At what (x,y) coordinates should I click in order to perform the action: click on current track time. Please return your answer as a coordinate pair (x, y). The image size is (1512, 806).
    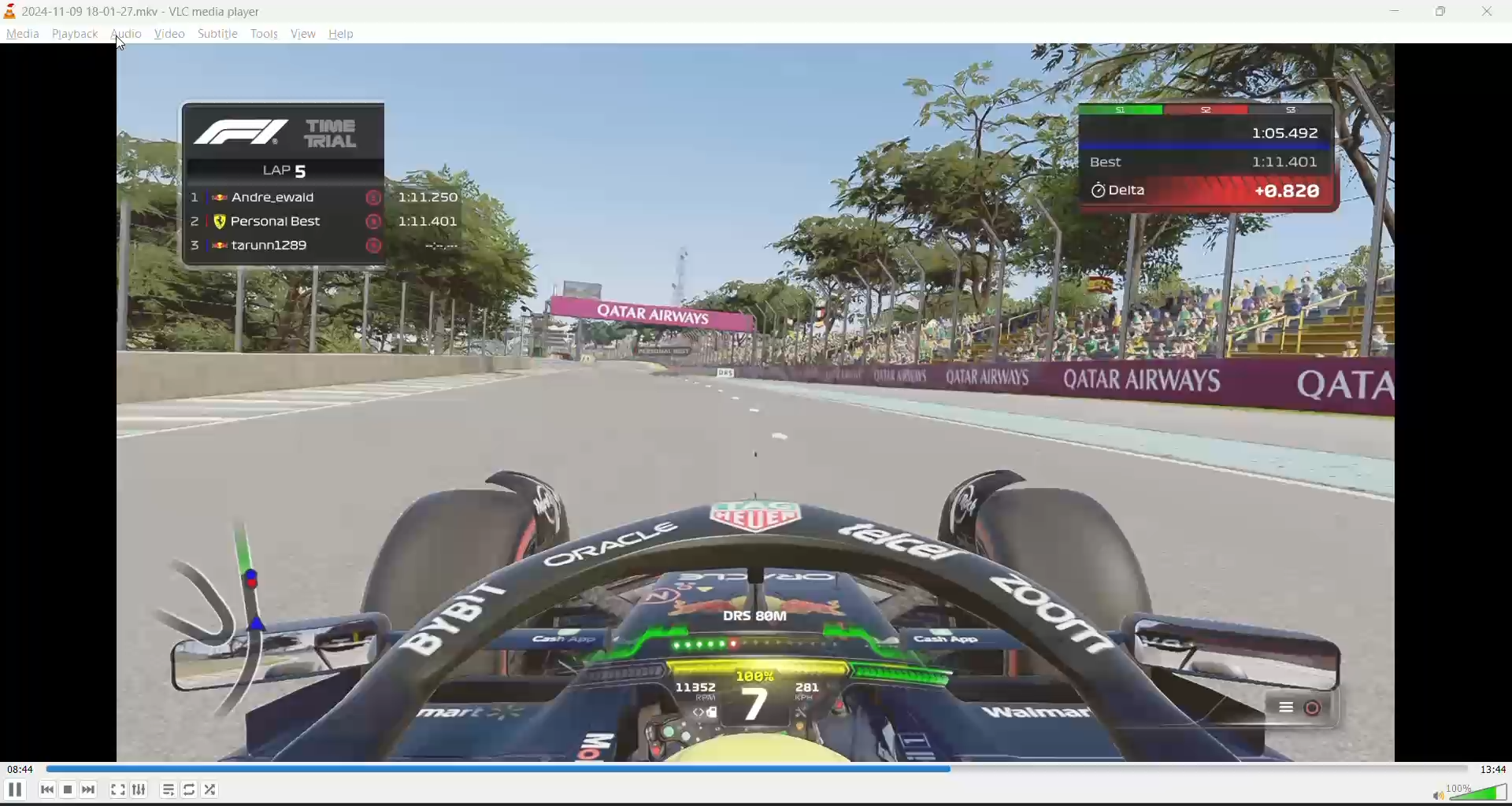
    Looking at the image, I should click on (19, 769).